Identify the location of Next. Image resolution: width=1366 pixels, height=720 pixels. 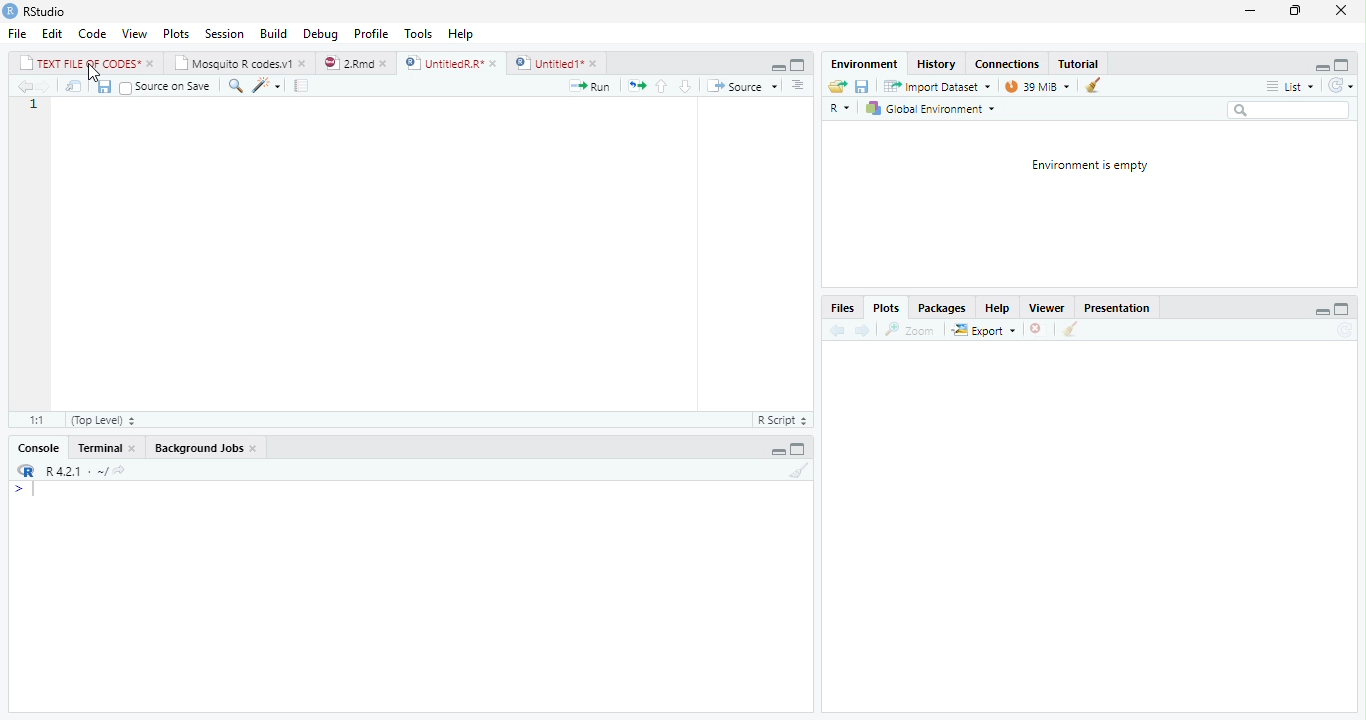
(49, 86).